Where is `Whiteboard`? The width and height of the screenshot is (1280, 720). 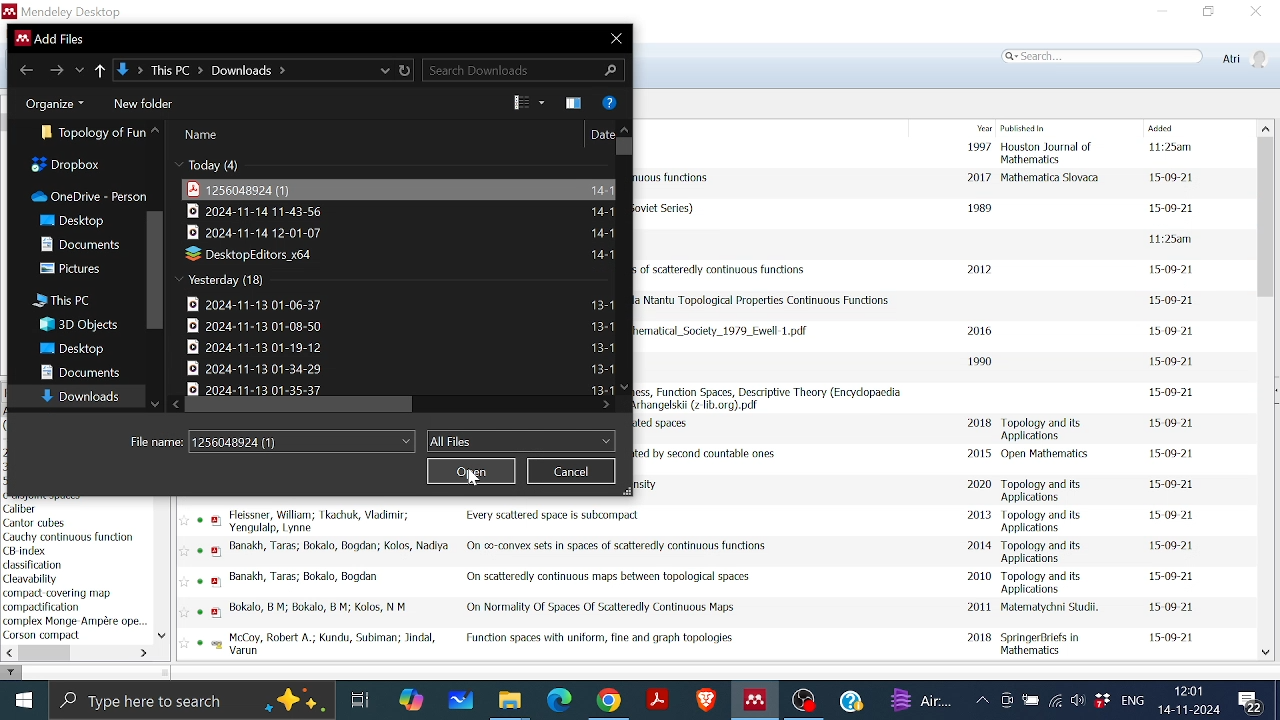 Whiteboard is located at coordinates (460, 701).